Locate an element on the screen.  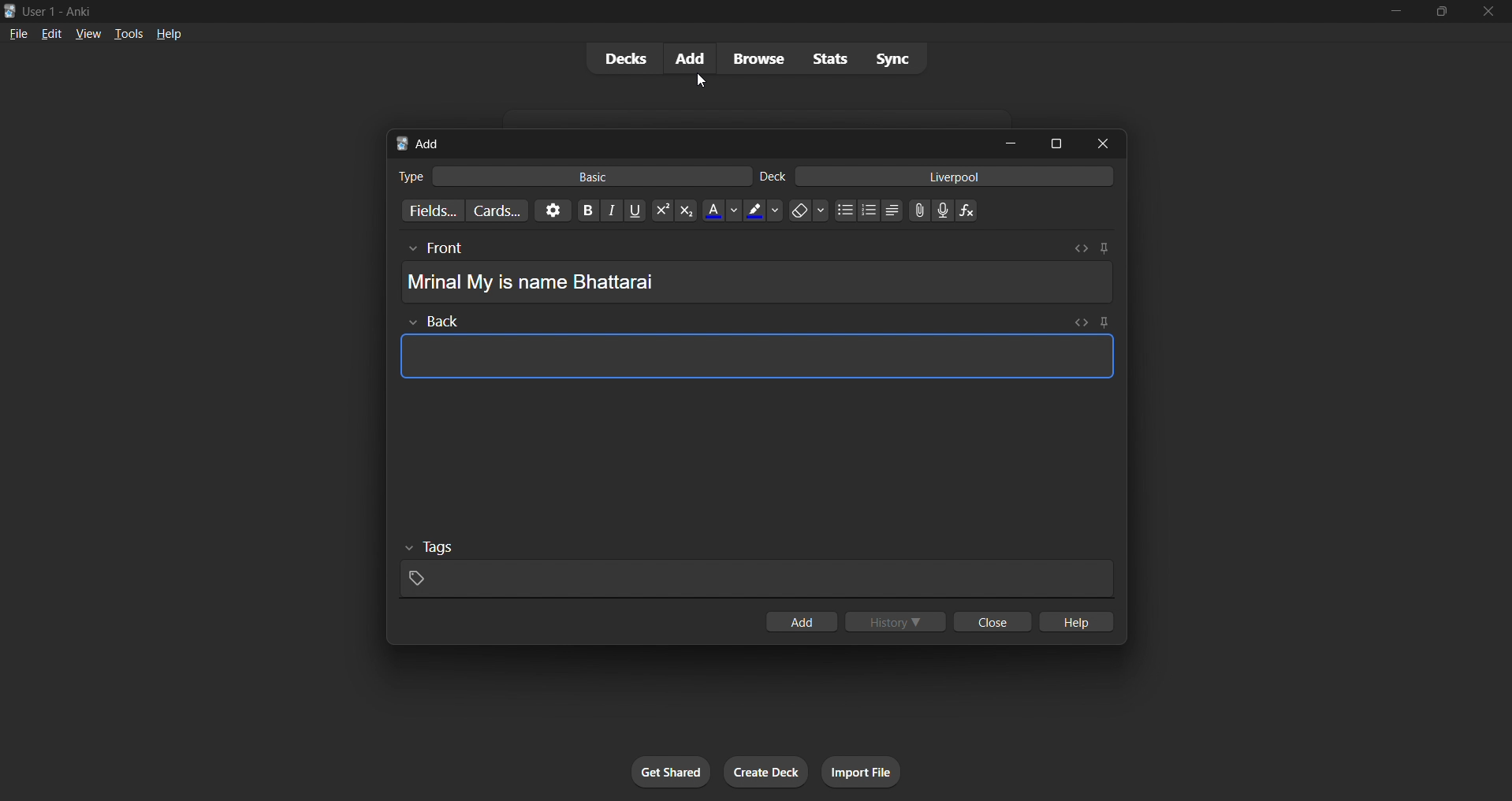
maximize is located at coordinates (1056, 143).